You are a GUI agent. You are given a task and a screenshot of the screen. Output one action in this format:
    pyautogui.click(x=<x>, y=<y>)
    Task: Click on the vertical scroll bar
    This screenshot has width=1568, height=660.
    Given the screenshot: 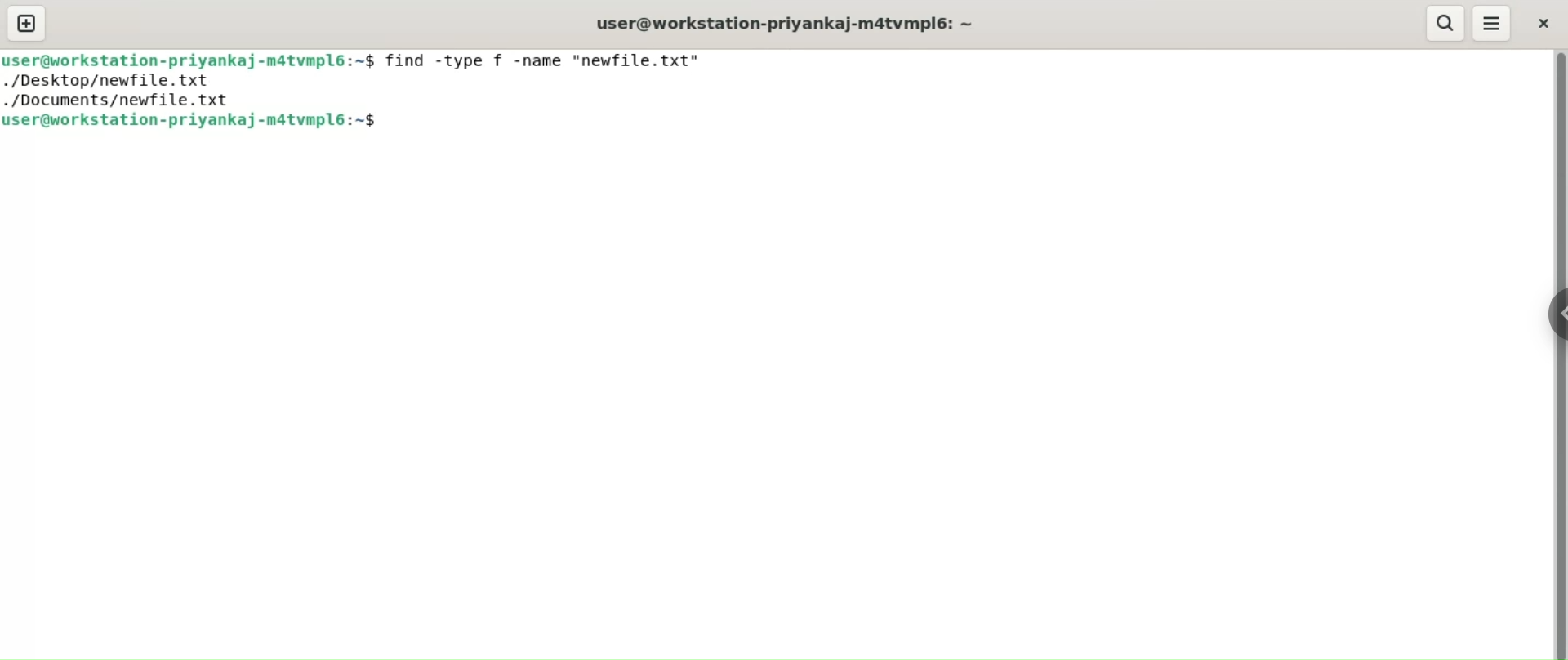 What is the action you would take?
    pyautogui.click(x=1558, y=352)
    